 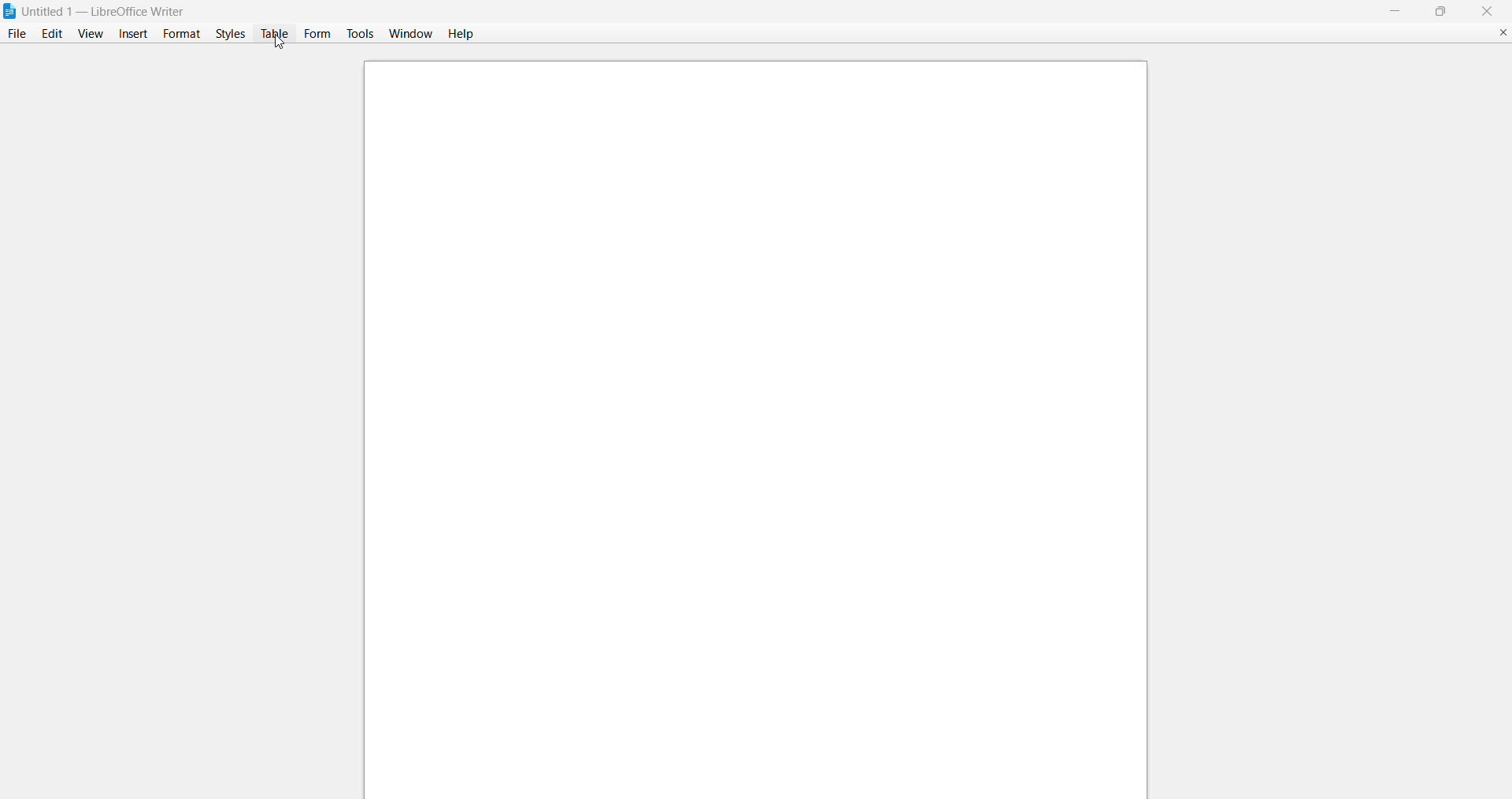 What do you see at coordinates (15, 34) in the screenshot?
I see `file` at bounding box center [15, 34].